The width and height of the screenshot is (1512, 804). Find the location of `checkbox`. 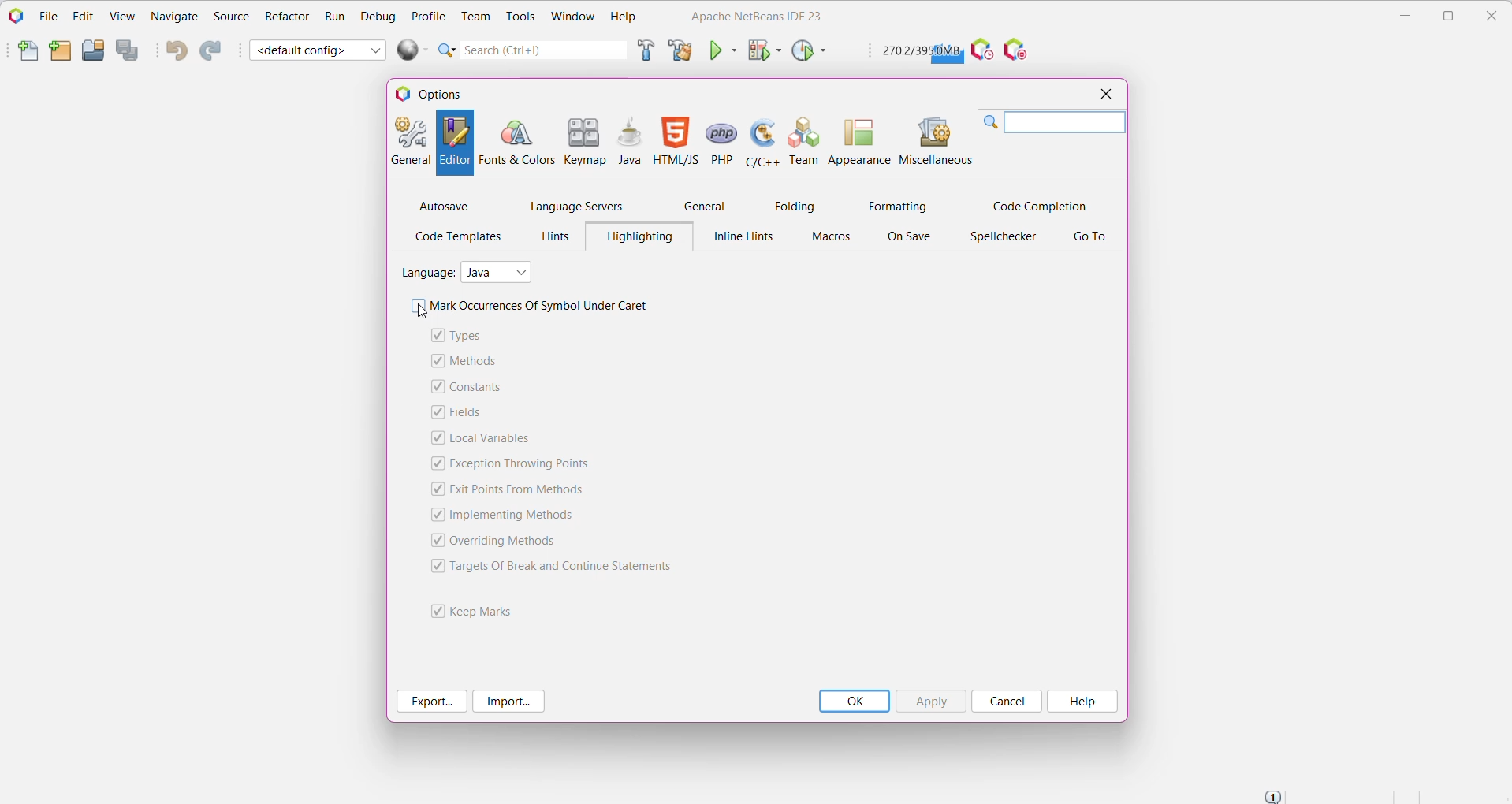

checkbox is located at coordinates (435, 437).